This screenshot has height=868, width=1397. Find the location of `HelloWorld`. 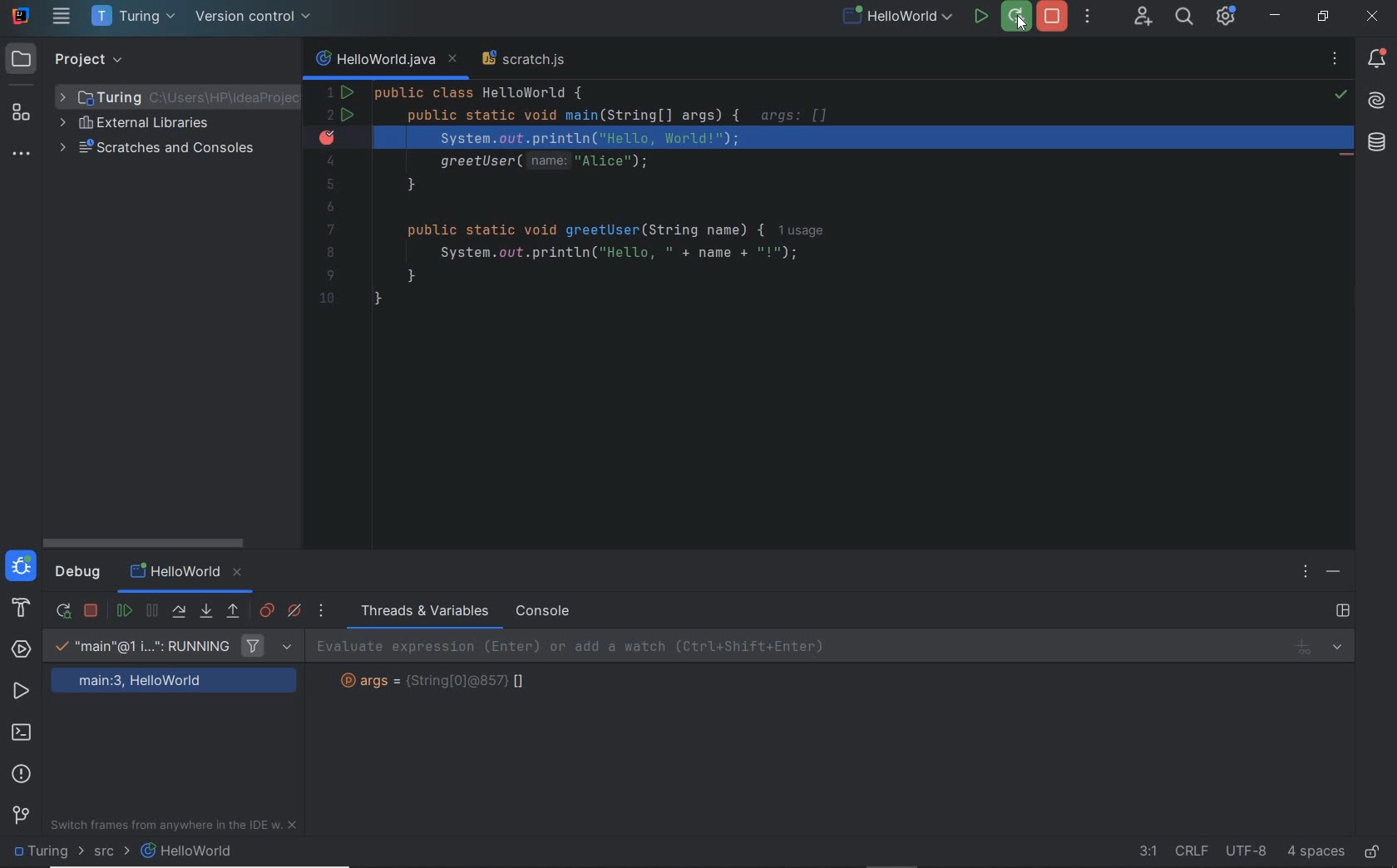

HelloWorld is located at coordinates (190, 575).